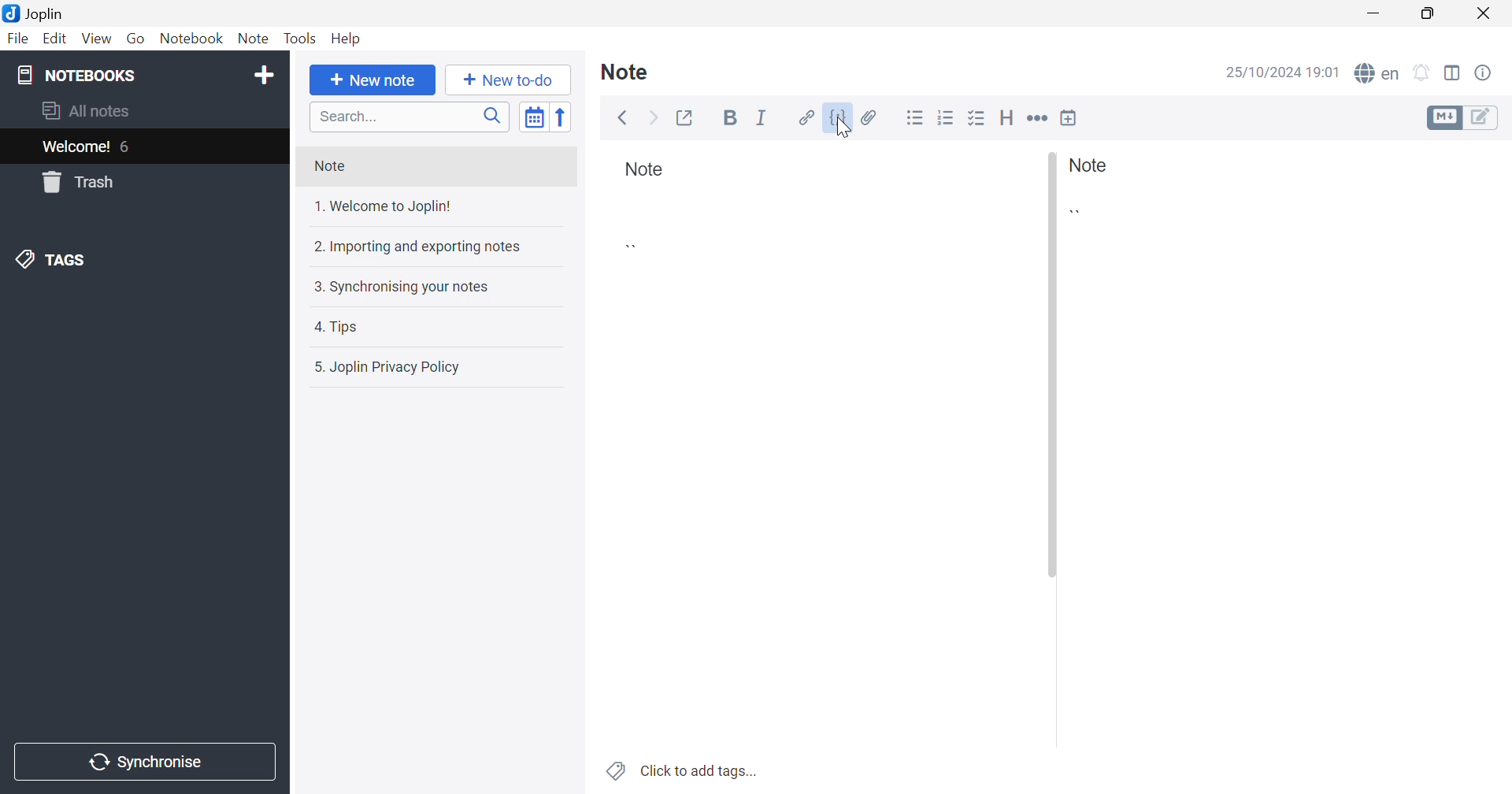 Image resolution: width=1512 pixels, height=794 pixels. Describe the element at coordinates (651, 118) in the screenshot. I see `Forward` at that location.